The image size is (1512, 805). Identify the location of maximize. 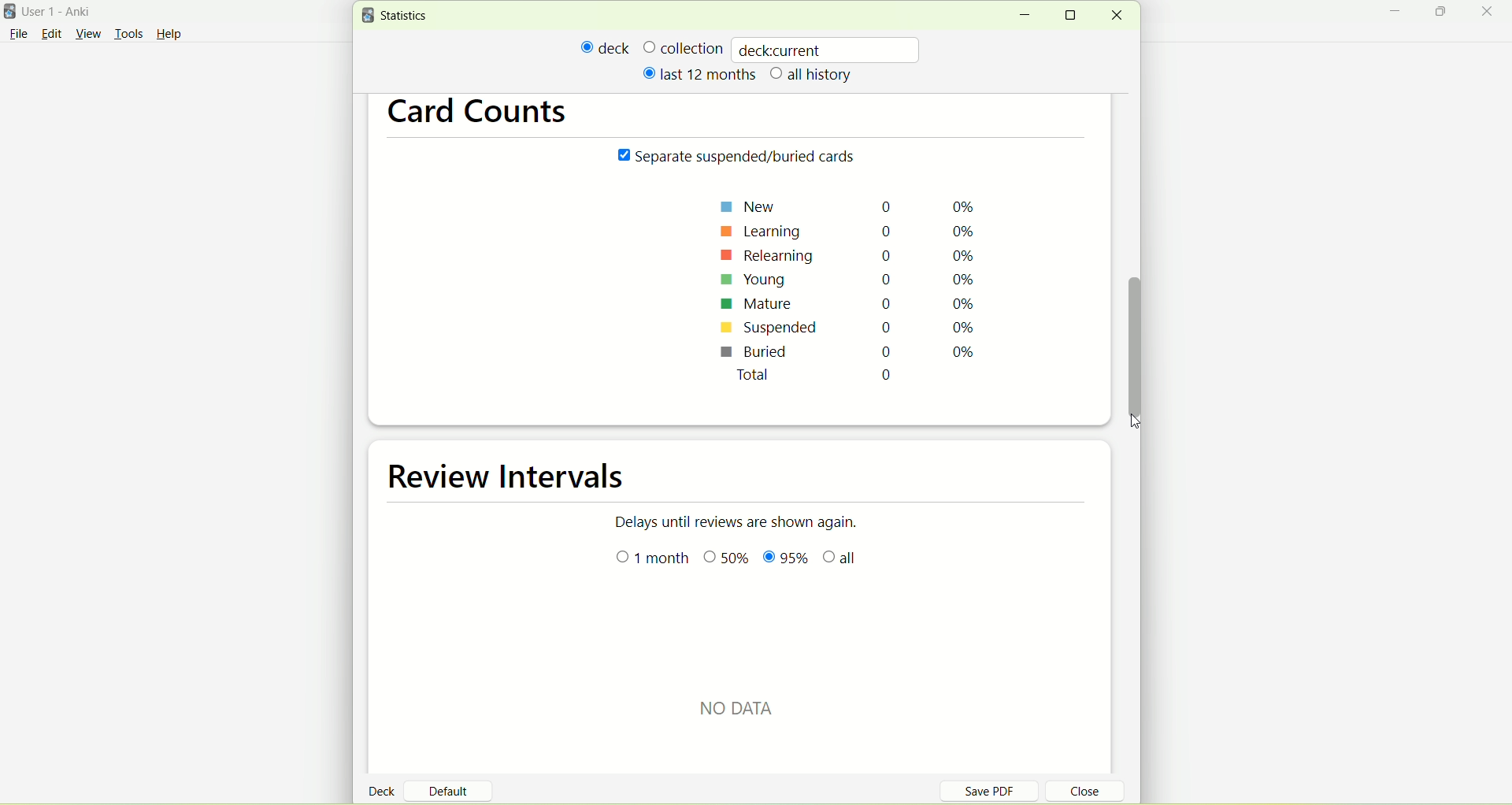
(1076, 15).